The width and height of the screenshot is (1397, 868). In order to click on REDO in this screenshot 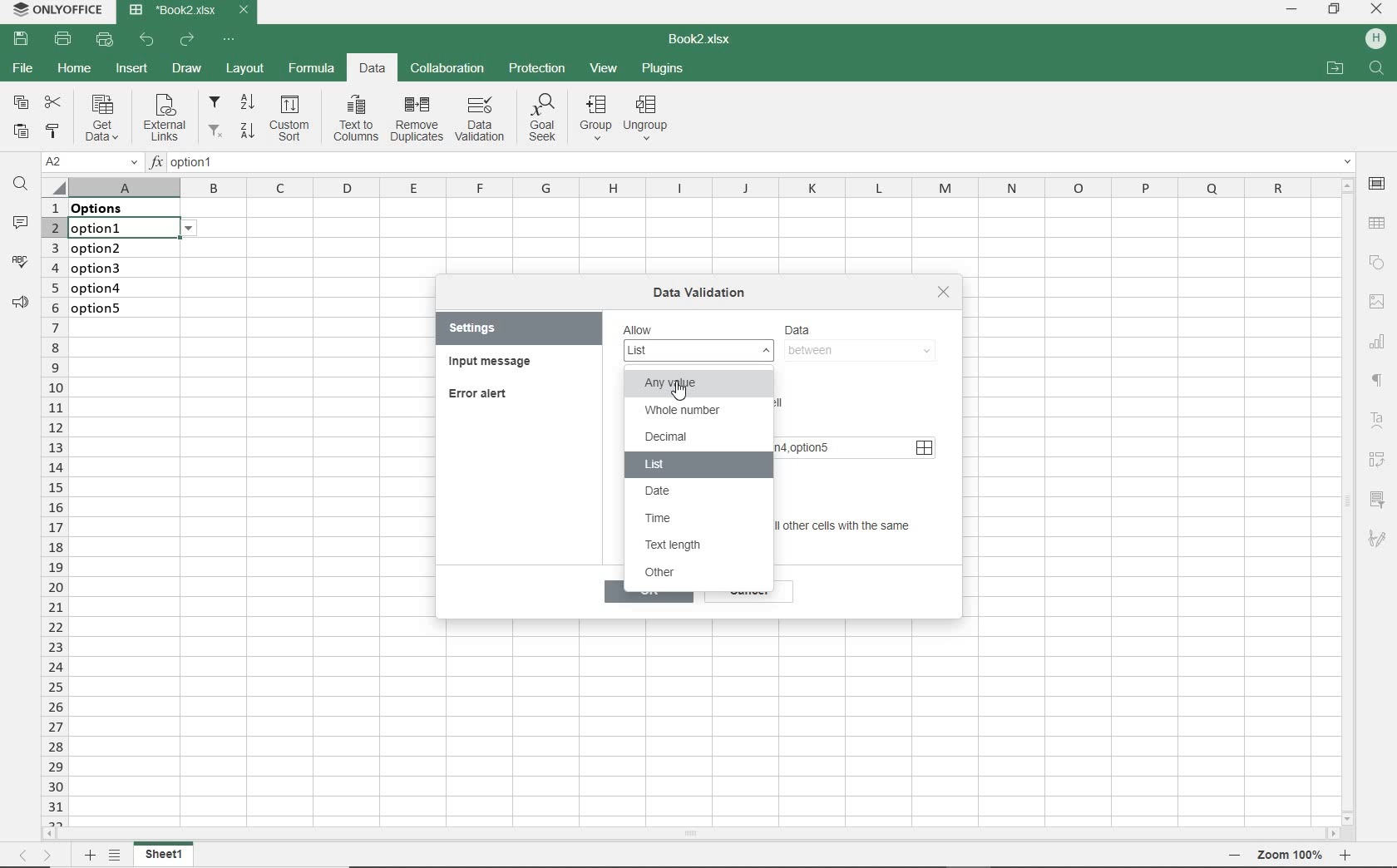, I will do `click(187, 40)`.